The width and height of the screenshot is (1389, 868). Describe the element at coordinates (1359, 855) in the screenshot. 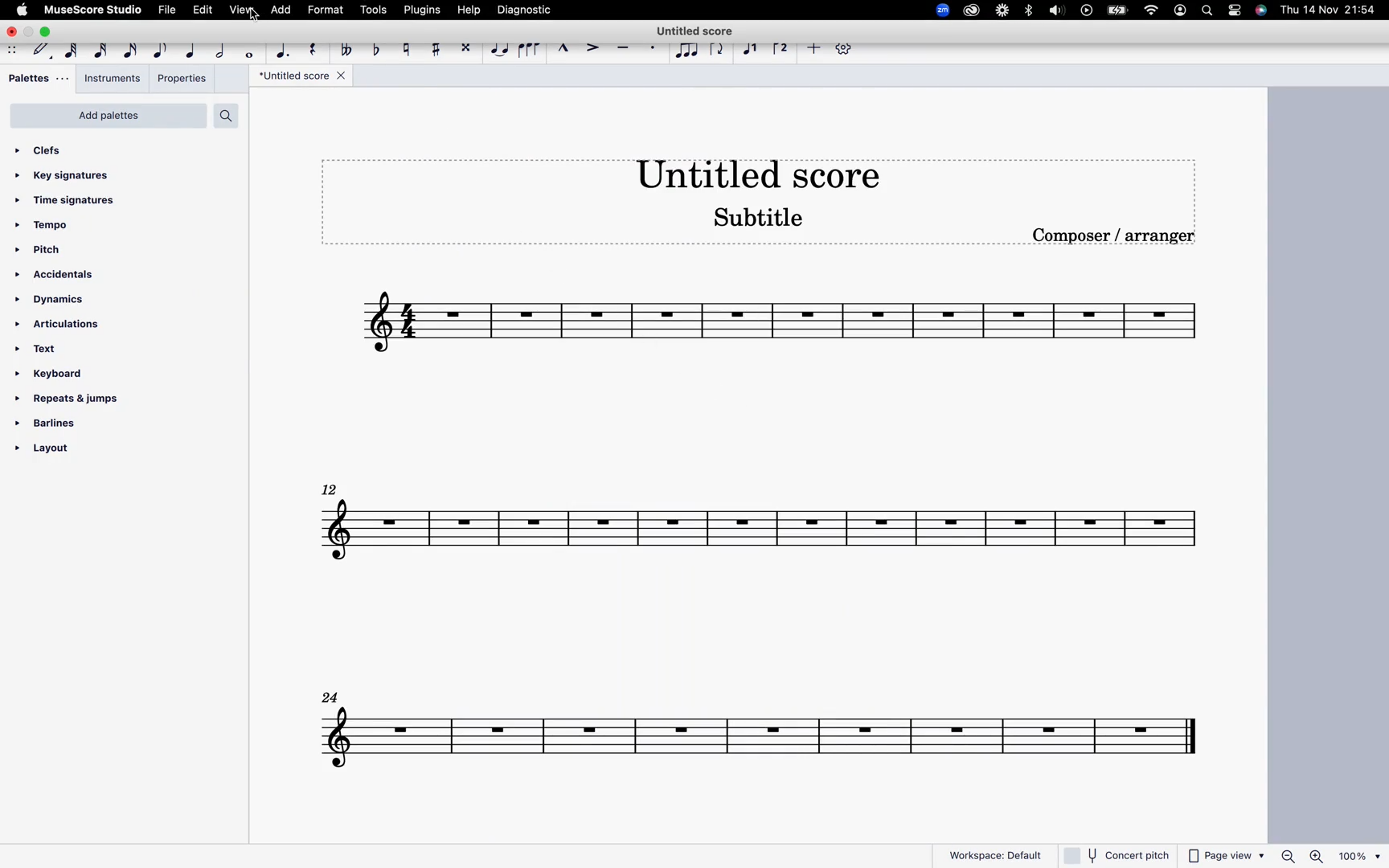

I see `100%` at that location.